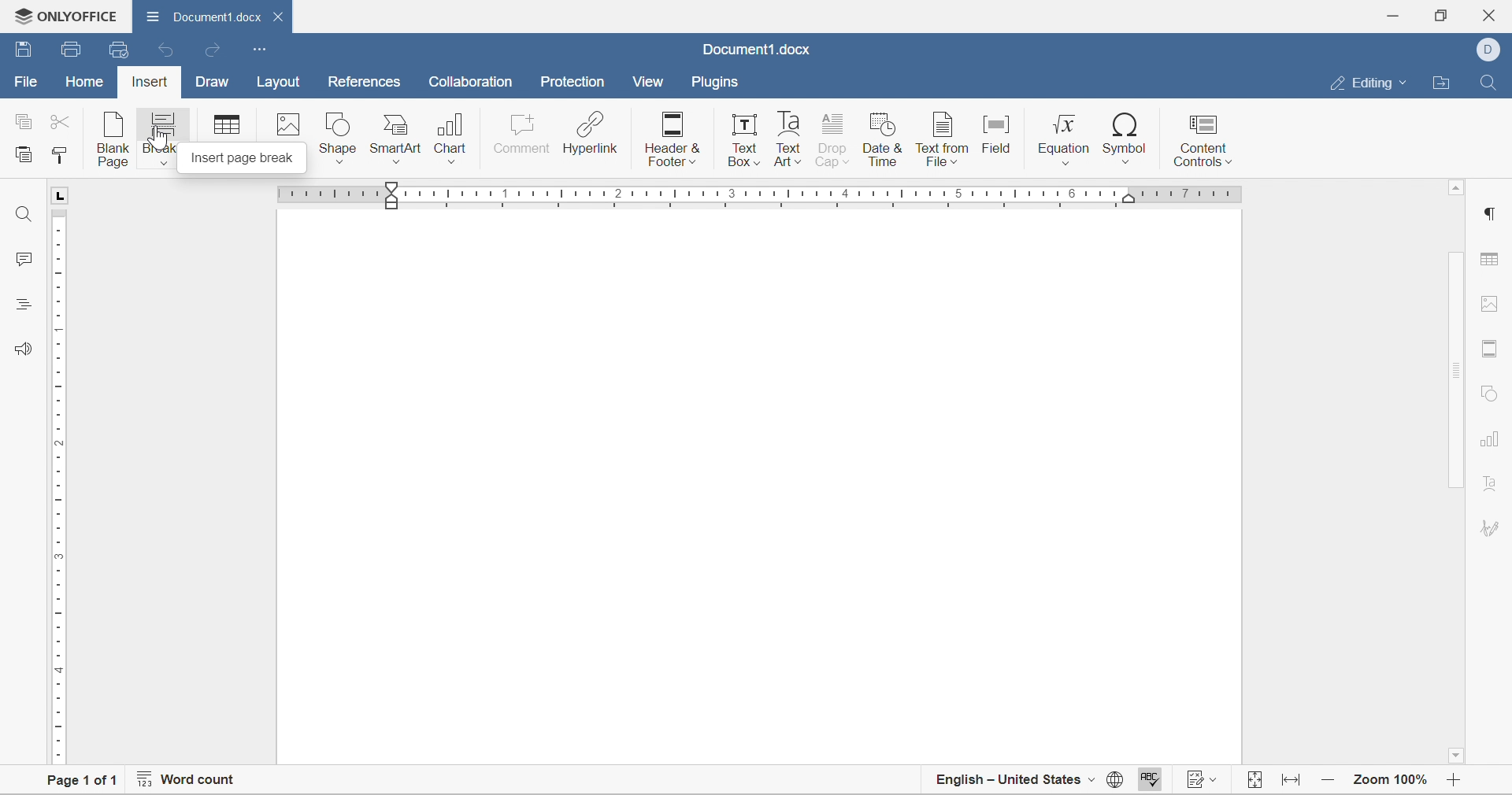 The height and width of the screenshot is (795, 1512). I want to click on Zoom 100%, so click(1392, 782).